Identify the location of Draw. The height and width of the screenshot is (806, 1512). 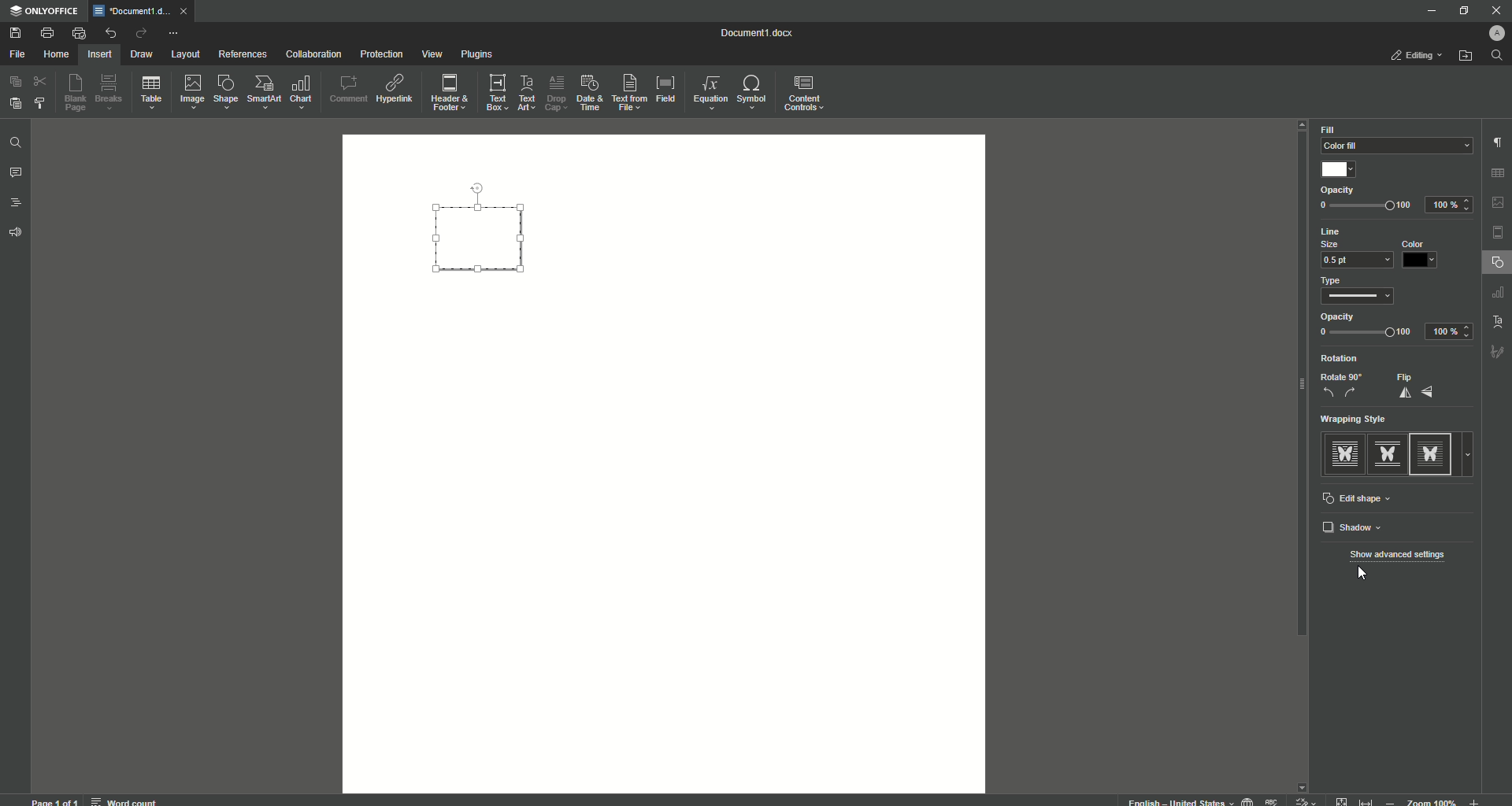
(143, 55).